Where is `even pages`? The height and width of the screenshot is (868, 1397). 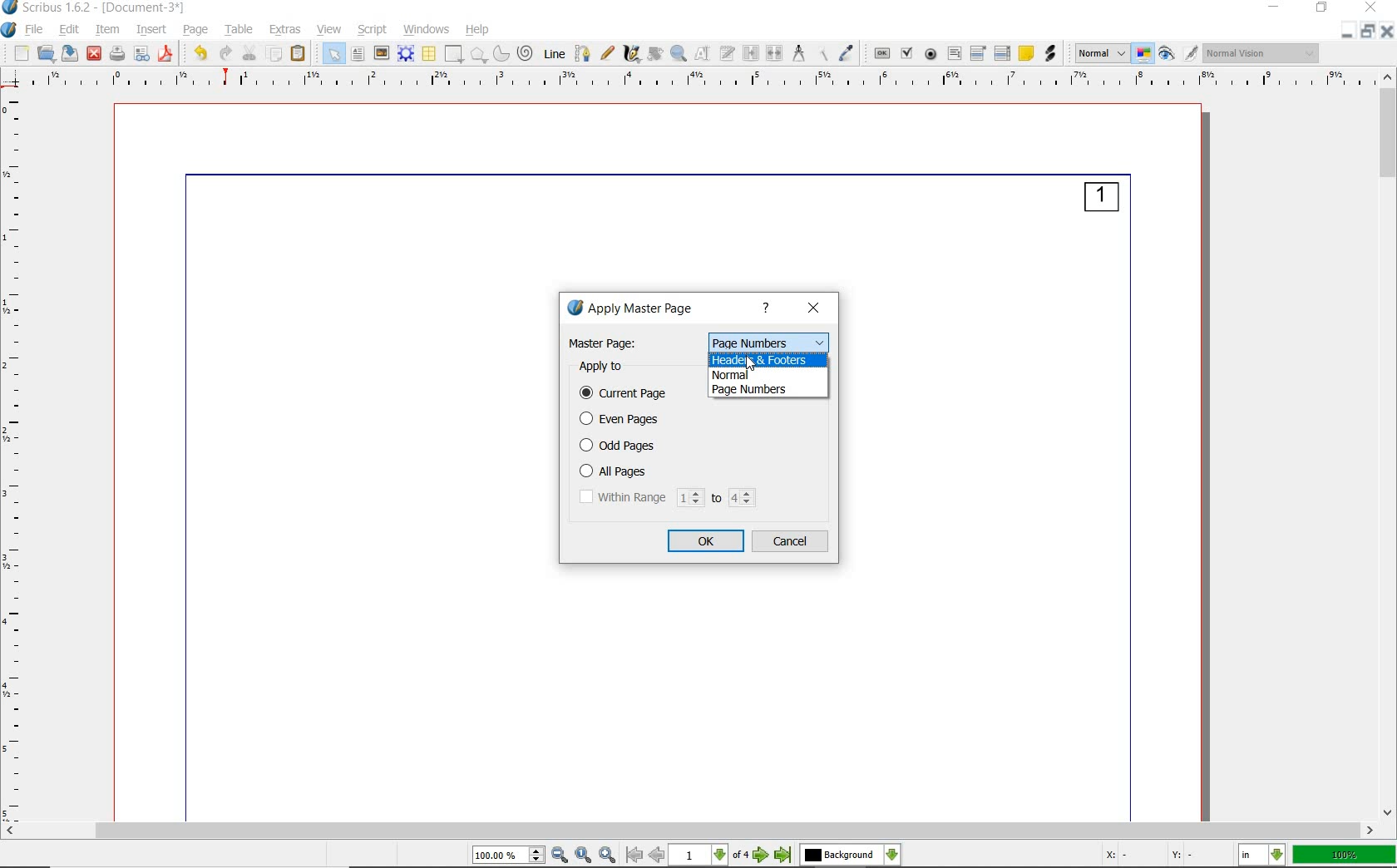
even pages is located at coordinates (624, 420).